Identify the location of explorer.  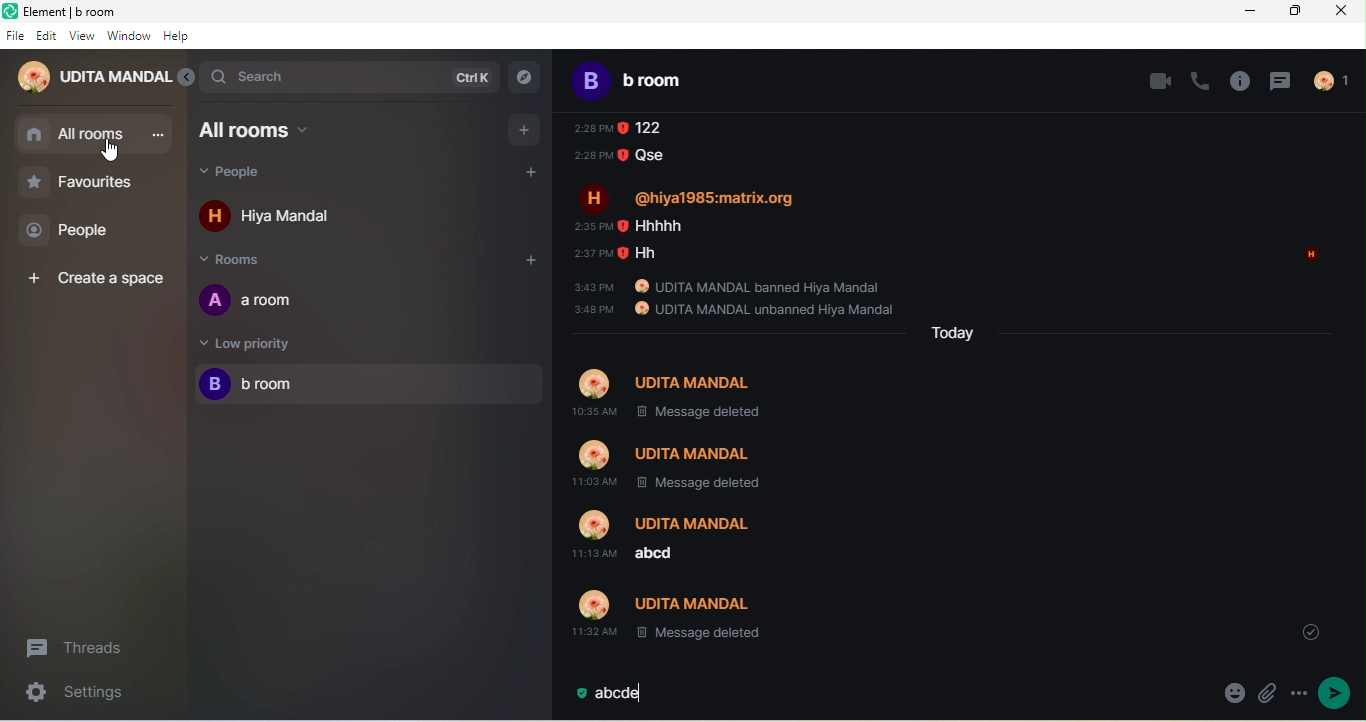
(526, 79).